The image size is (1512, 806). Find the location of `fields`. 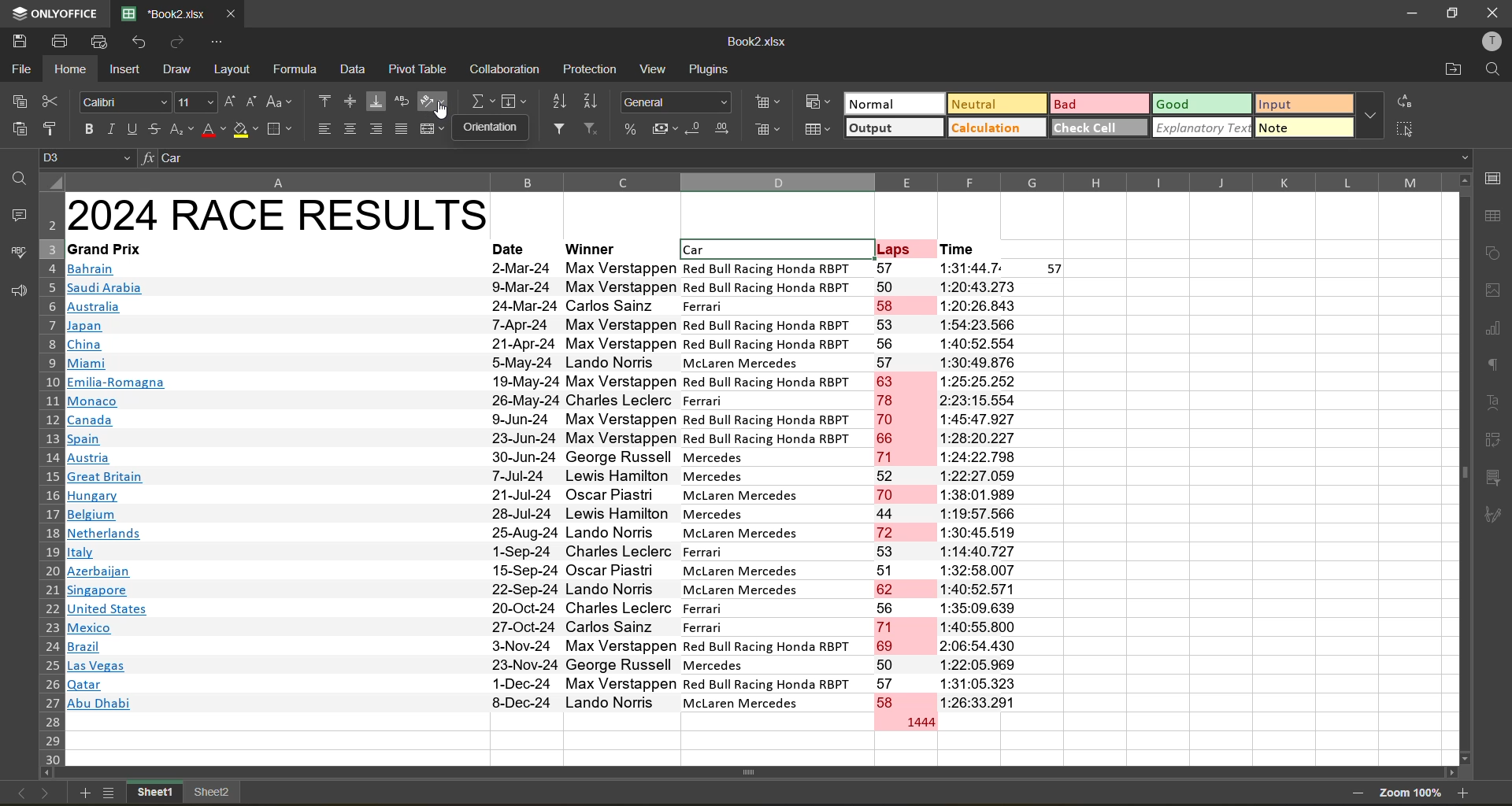

fields is located at coordinates (517, 102).